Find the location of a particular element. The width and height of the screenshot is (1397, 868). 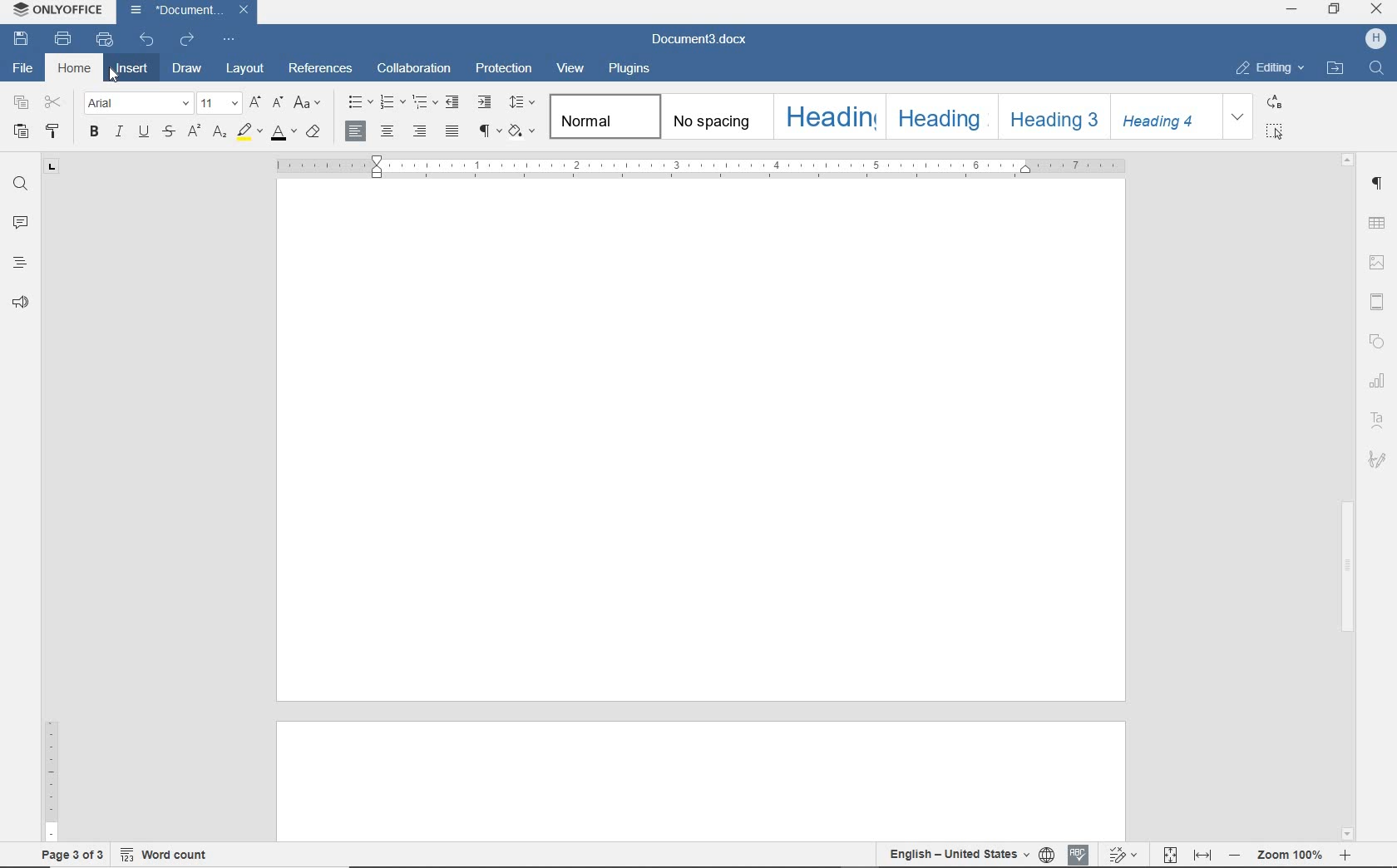

HEADING 3 is located at coordinates (1054, 118).